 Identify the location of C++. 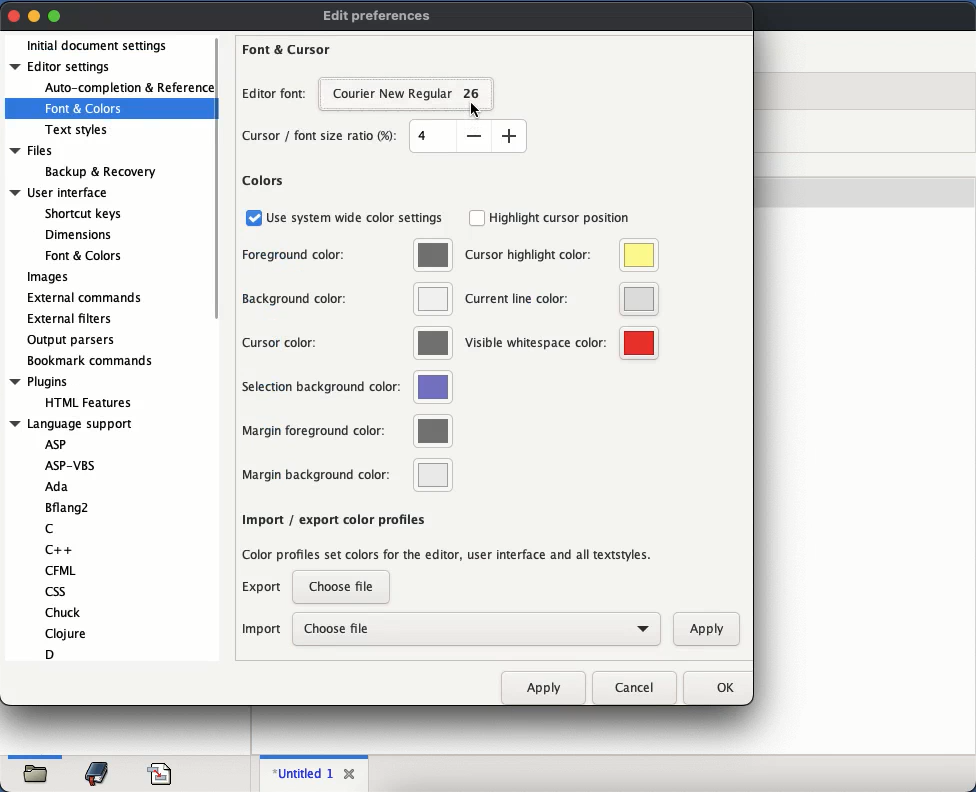
(61, 549).